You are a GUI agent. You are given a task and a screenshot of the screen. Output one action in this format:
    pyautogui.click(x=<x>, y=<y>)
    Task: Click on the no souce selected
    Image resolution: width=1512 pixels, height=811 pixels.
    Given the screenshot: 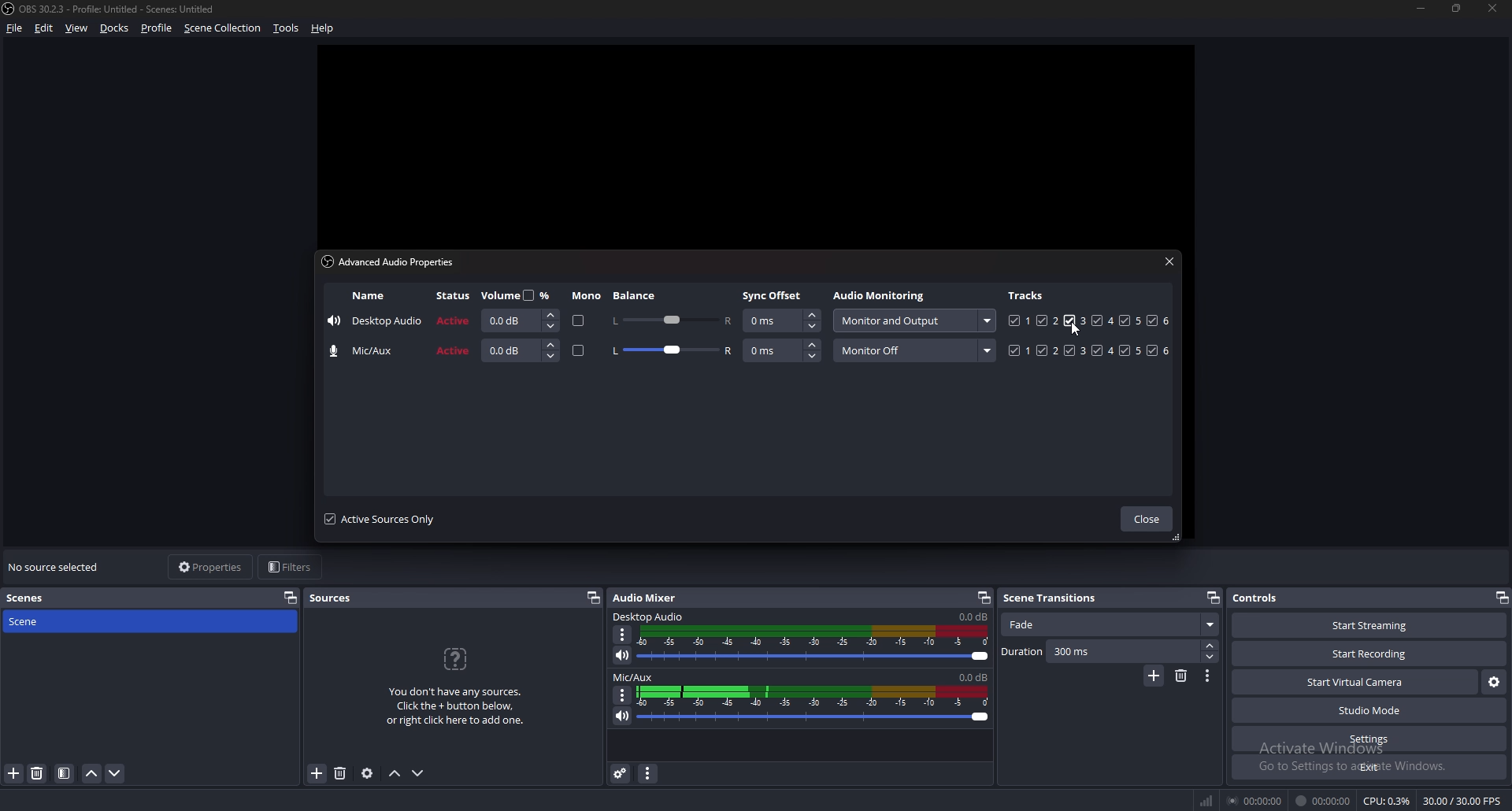 What is the action you would take?
    pyautogui.click(x=58, y=568)
    